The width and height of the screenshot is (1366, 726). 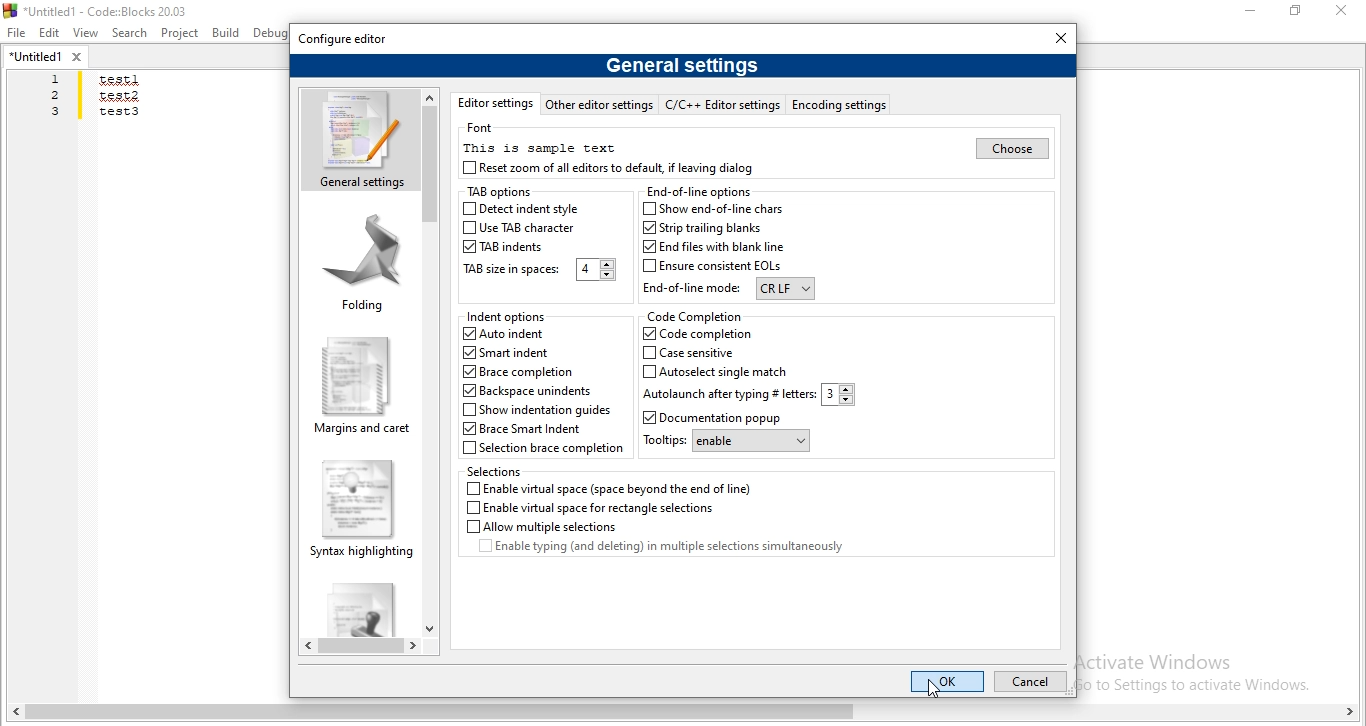 What do you see at coordinates (611, 168) in the screenshot?
I see `Reset zoom of all editors to default, if leaving dialog` at bounding box center [611, 168].